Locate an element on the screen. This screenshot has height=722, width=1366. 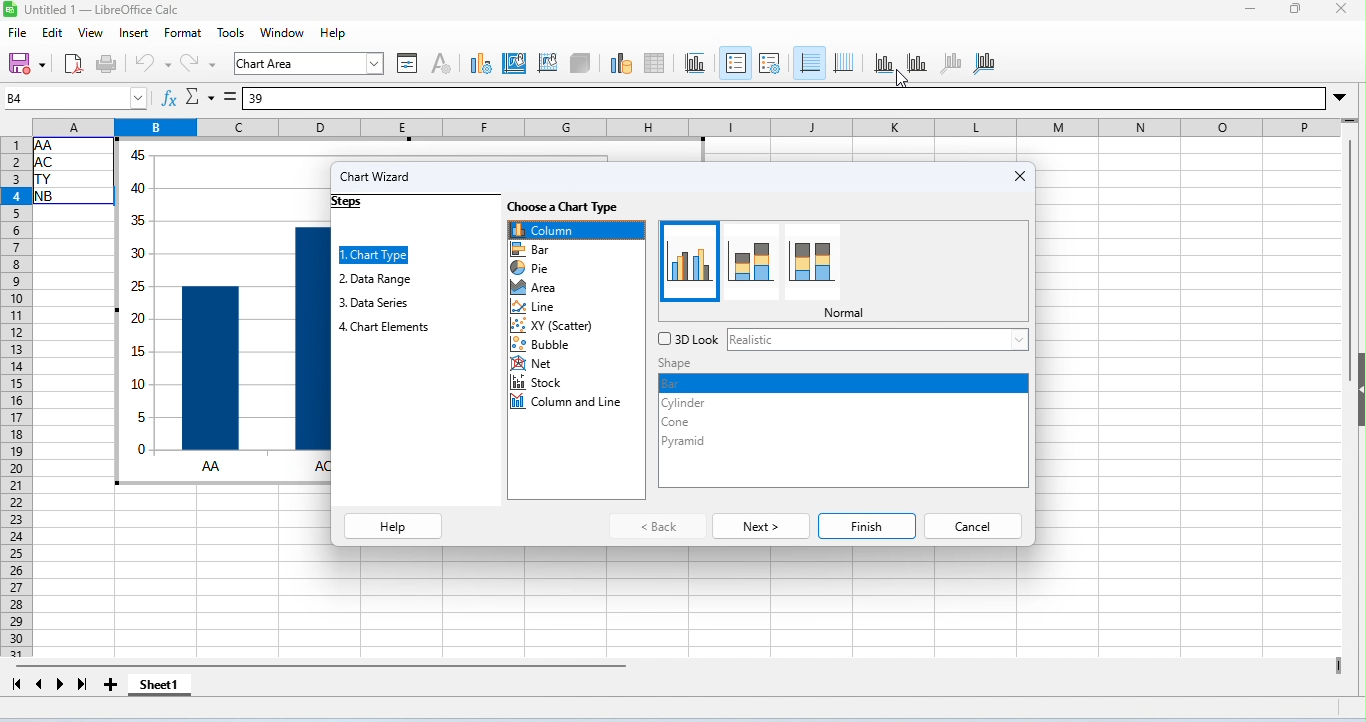
column and line is located at coordinates (569, 404).